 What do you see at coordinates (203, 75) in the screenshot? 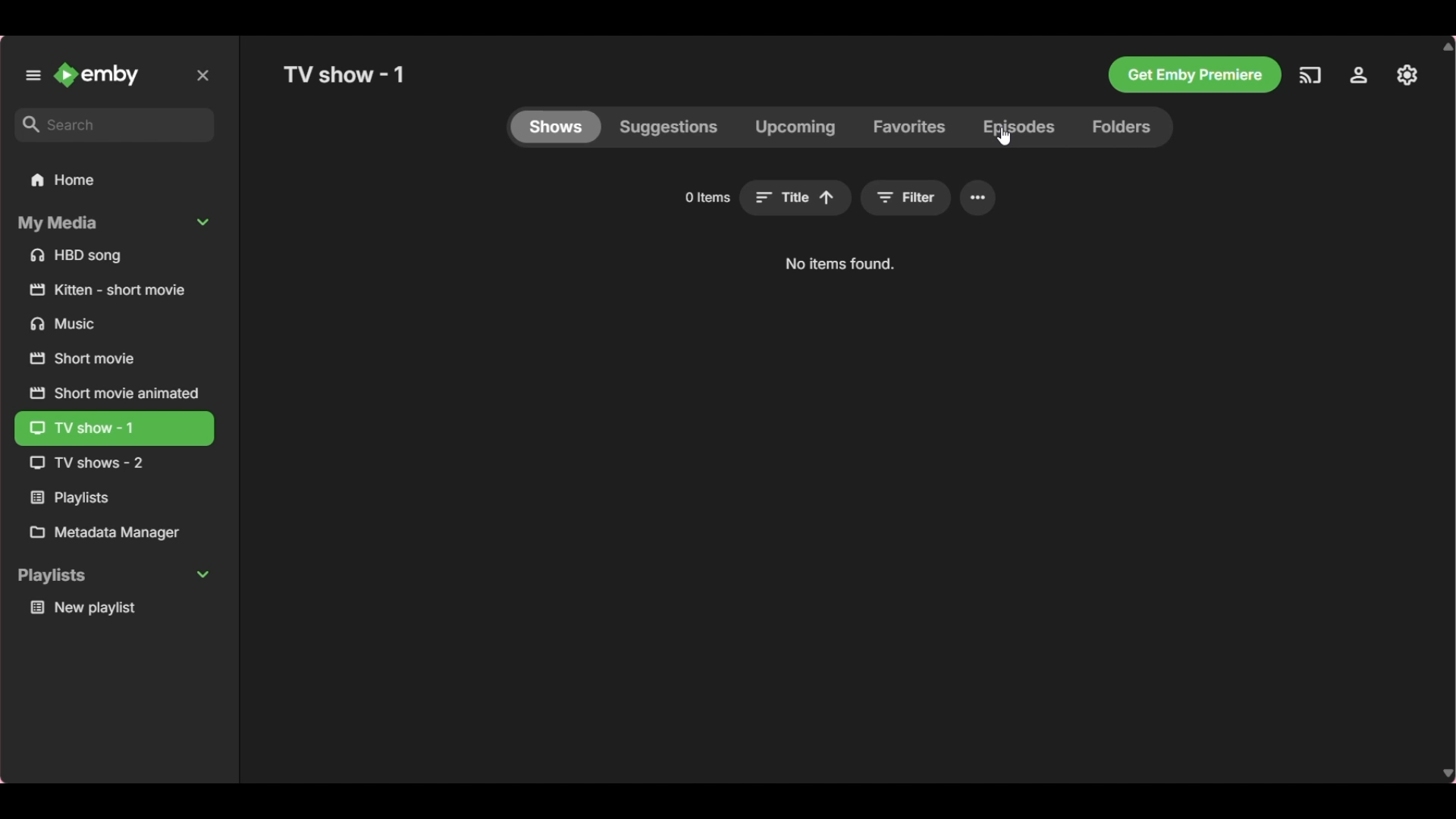
I see `Close` at bounding box center [203, 75].